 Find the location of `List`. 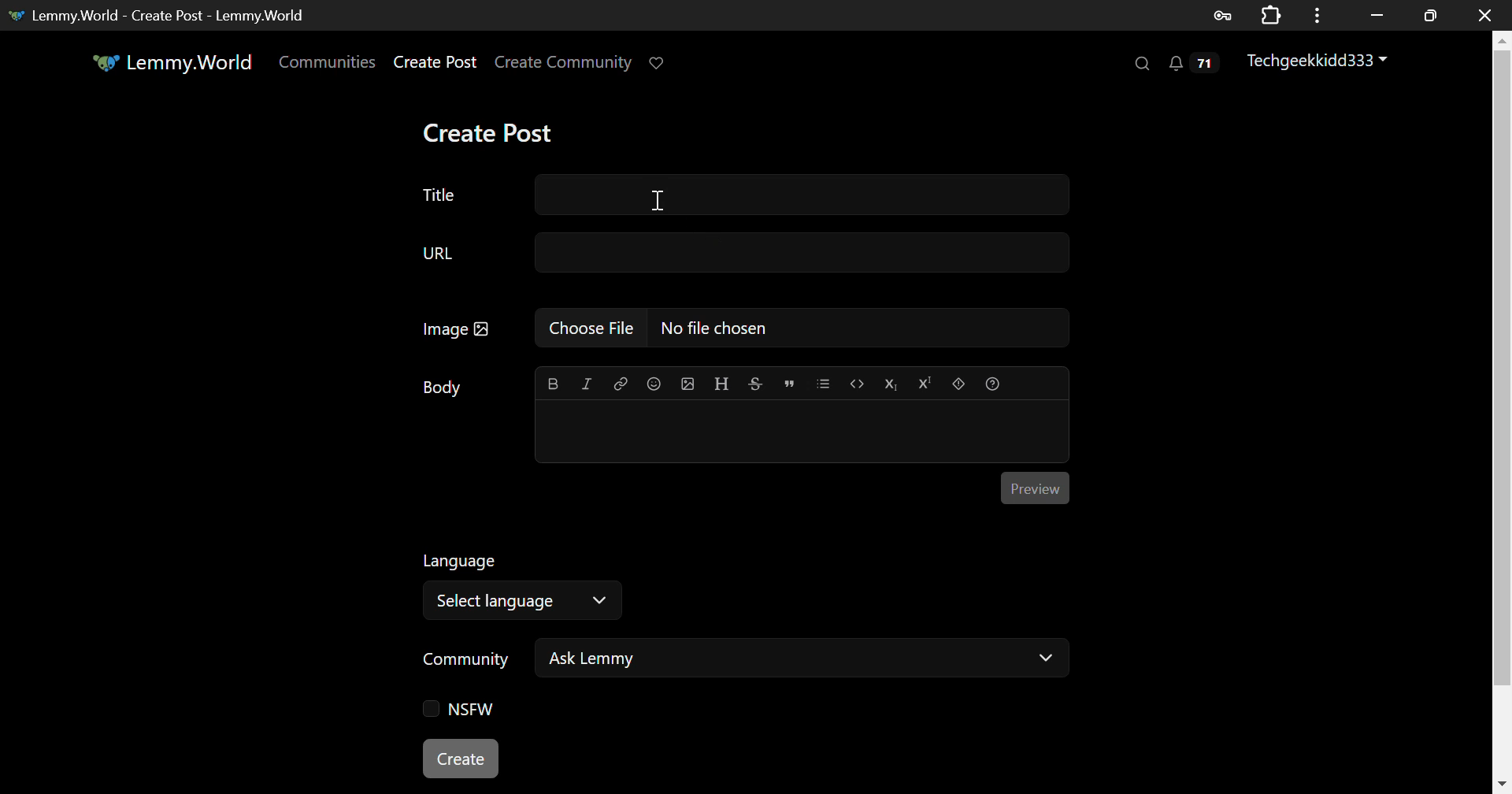

List is located at coordinates (823, 384).